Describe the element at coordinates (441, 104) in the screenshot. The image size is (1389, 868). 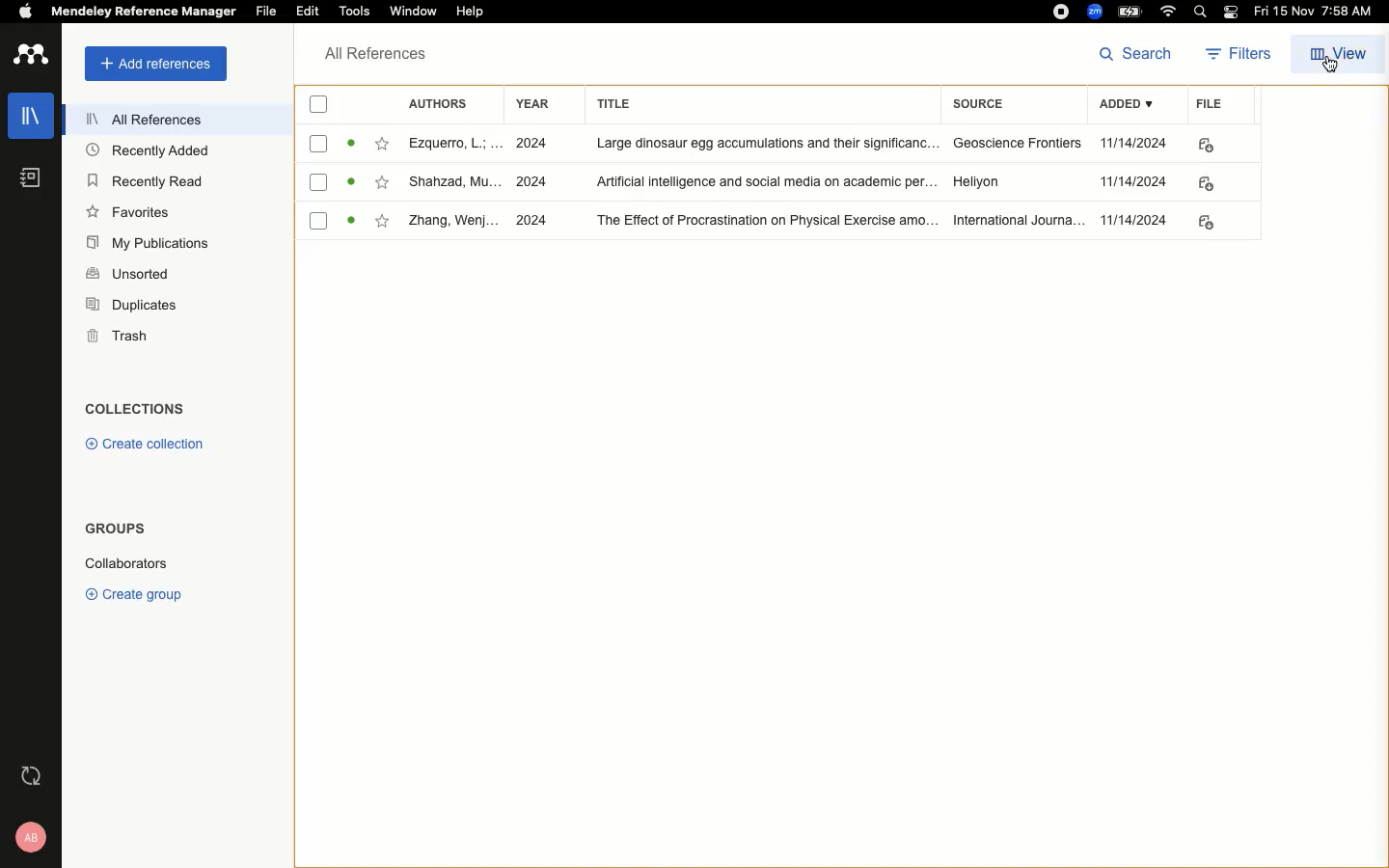
I see `Authors` at that location.